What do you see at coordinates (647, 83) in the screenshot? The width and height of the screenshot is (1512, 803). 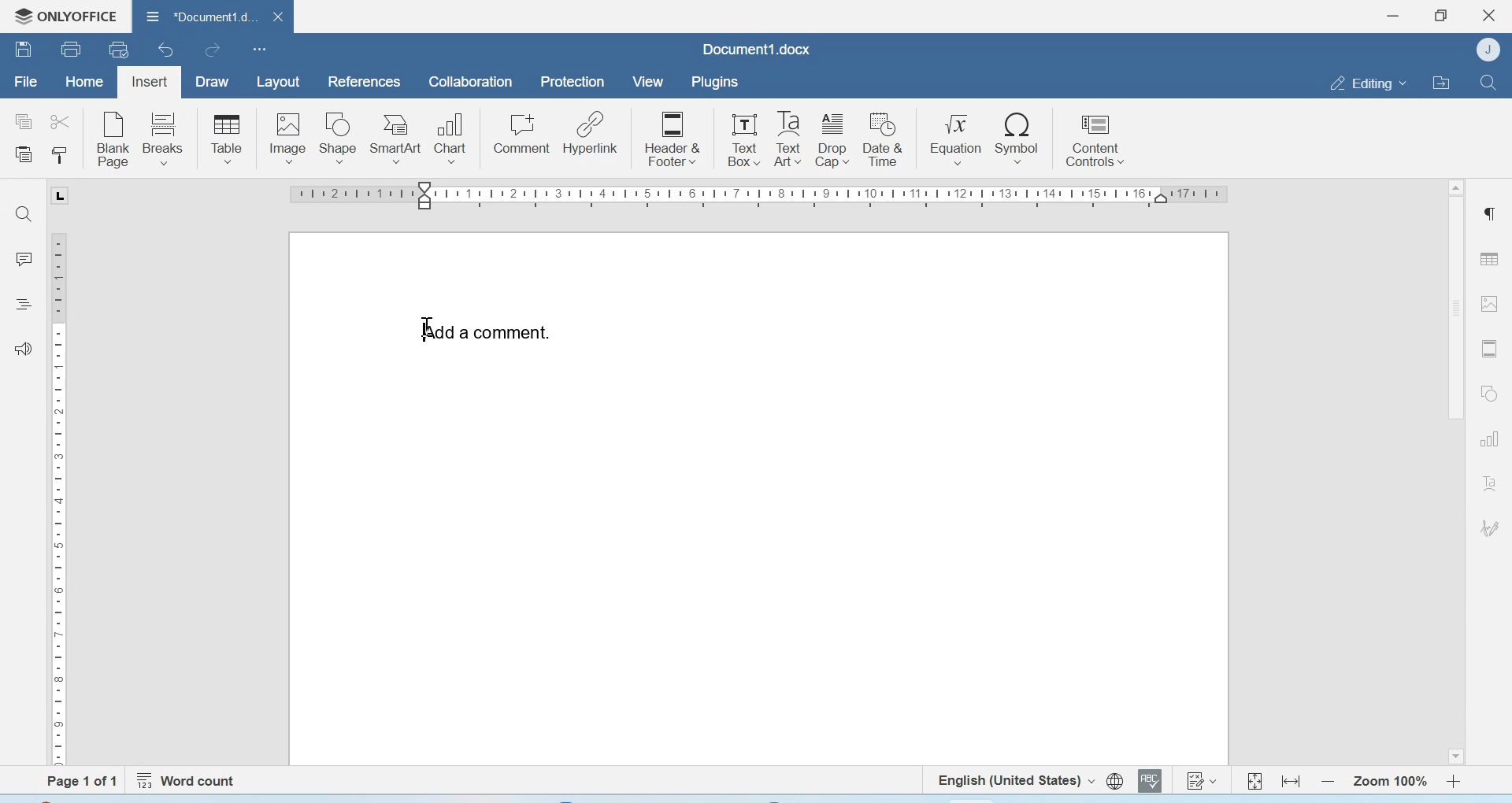 I see `View` at bounding box center [647, 83].